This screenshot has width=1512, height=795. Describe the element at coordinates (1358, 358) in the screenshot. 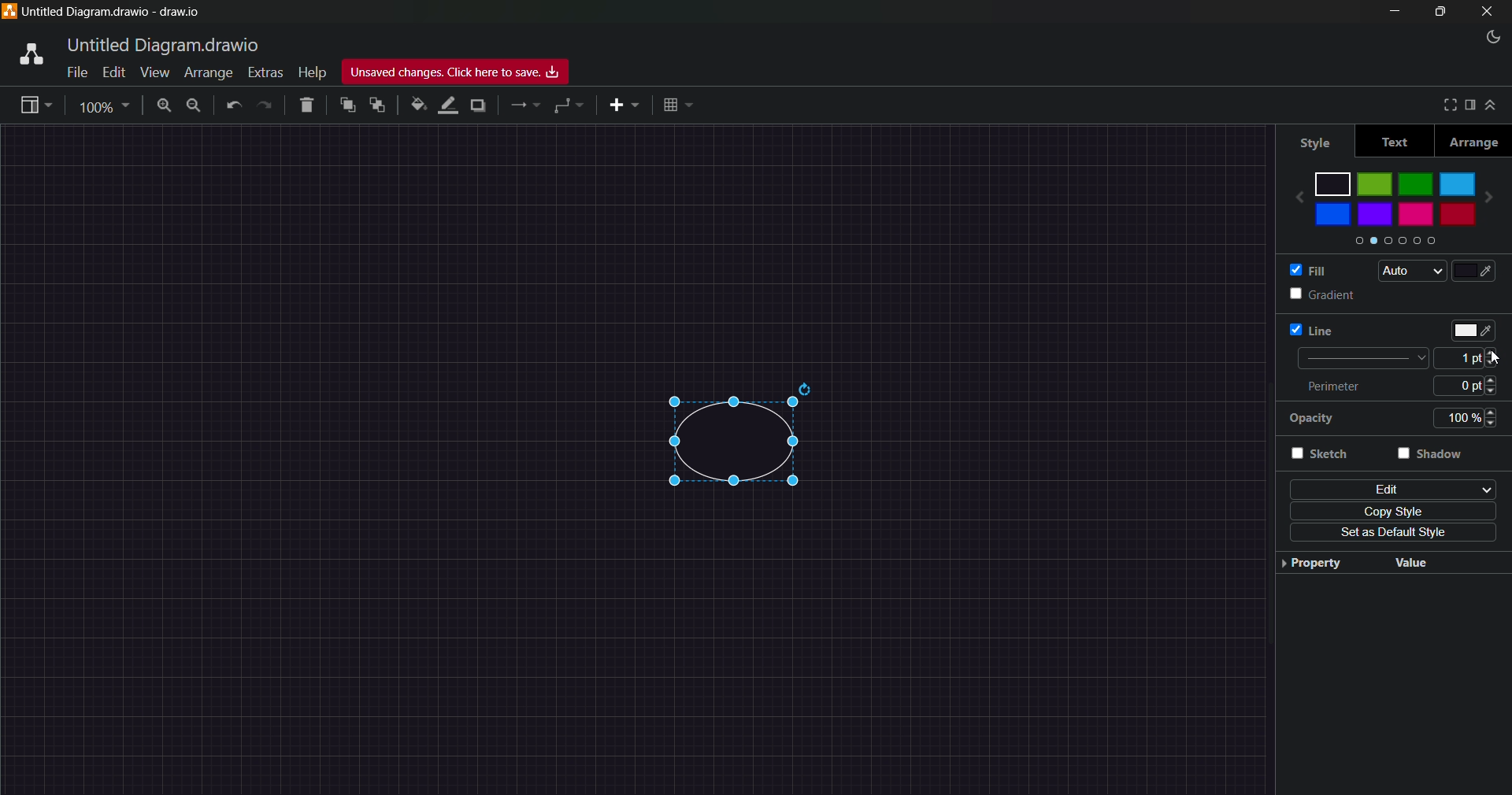

I see `input line style` at that location.